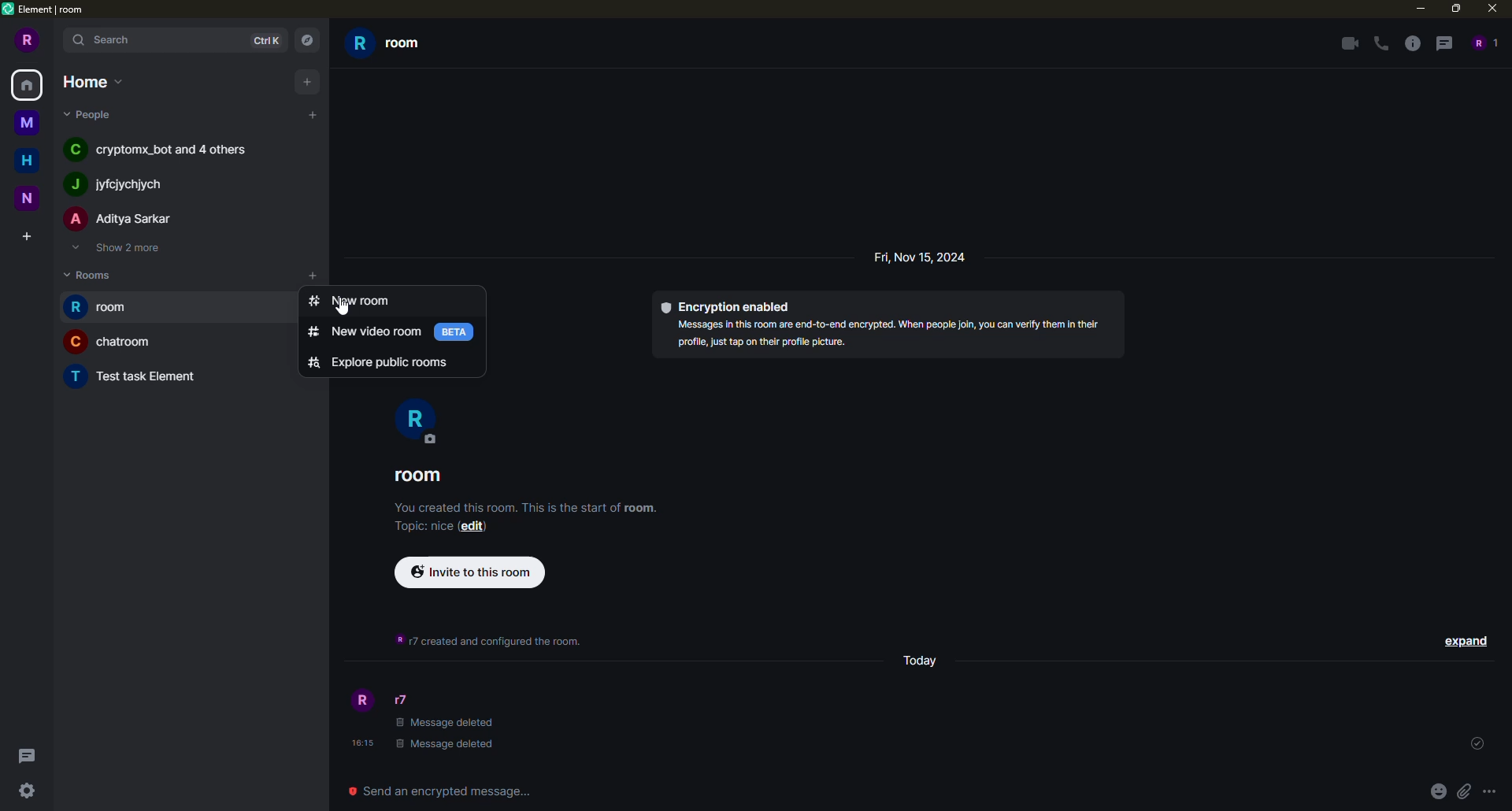  What do you see at coordinates (314, 276) in the screenshot?
I see `add room` at bounding box center [314, 276].